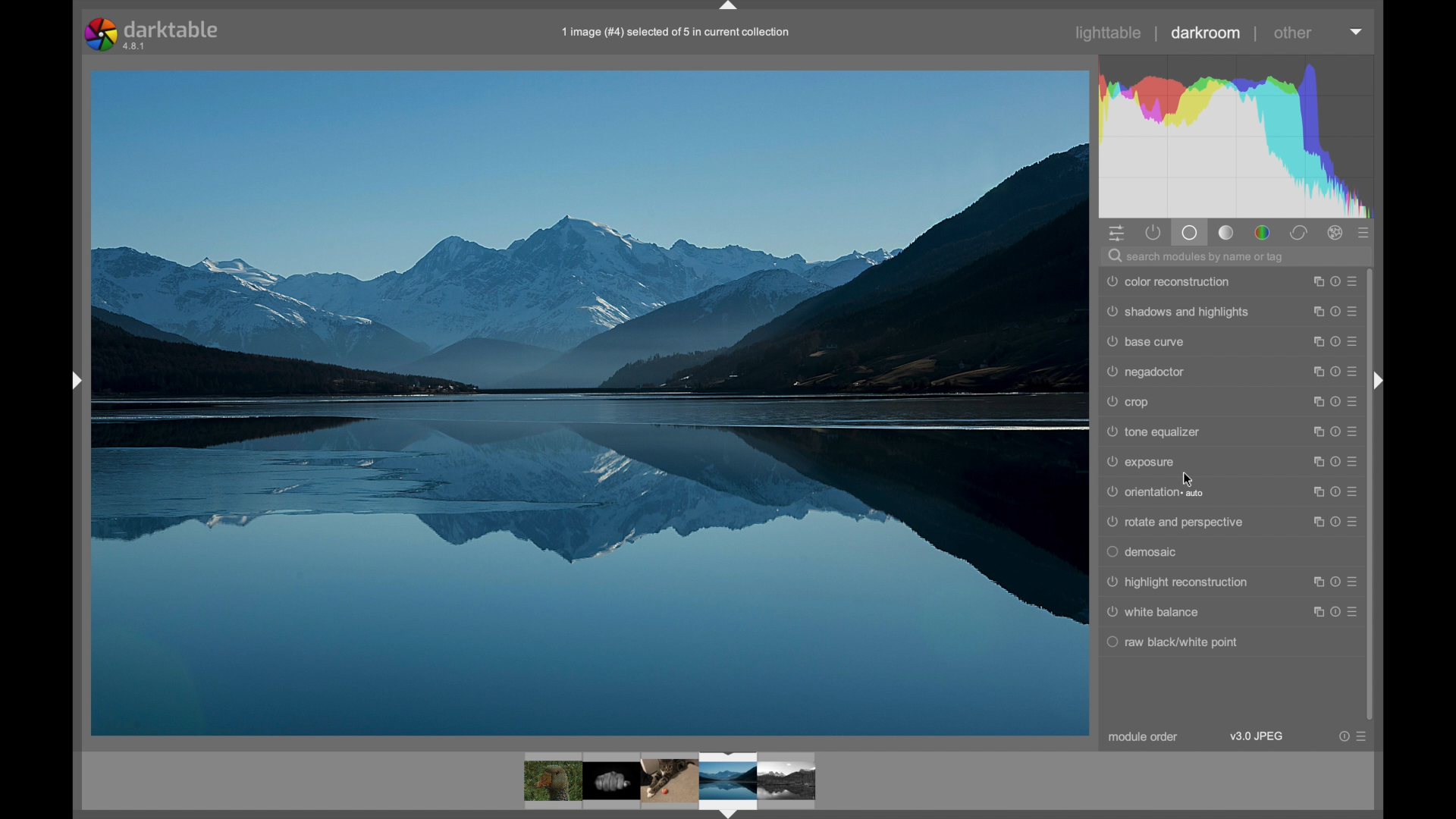  Describe the element at coordinates (1144, 552) in the screenshot. I see `demosaic` at that location.